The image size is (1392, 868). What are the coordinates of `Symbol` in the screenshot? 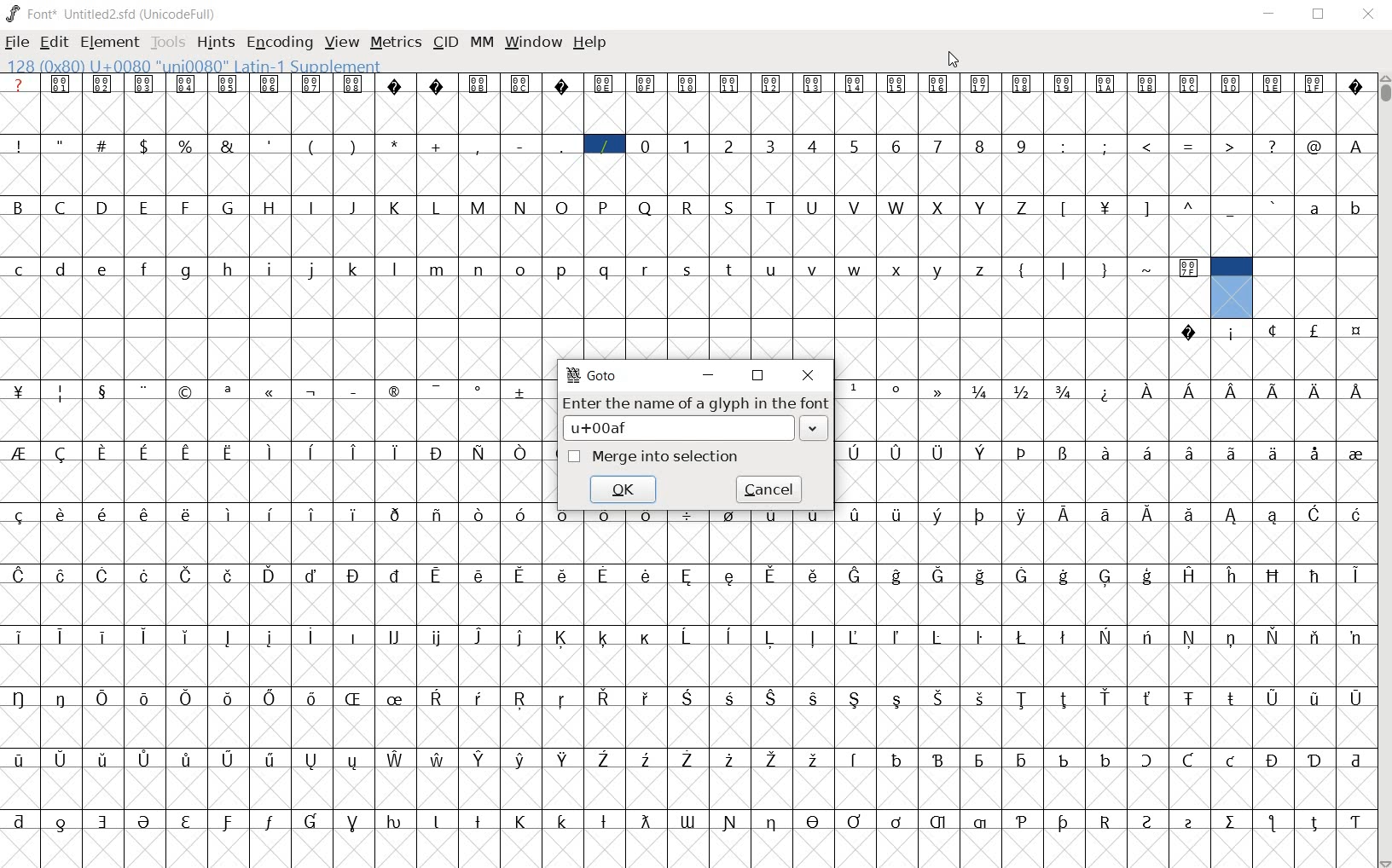 It's located at (1187, 574).